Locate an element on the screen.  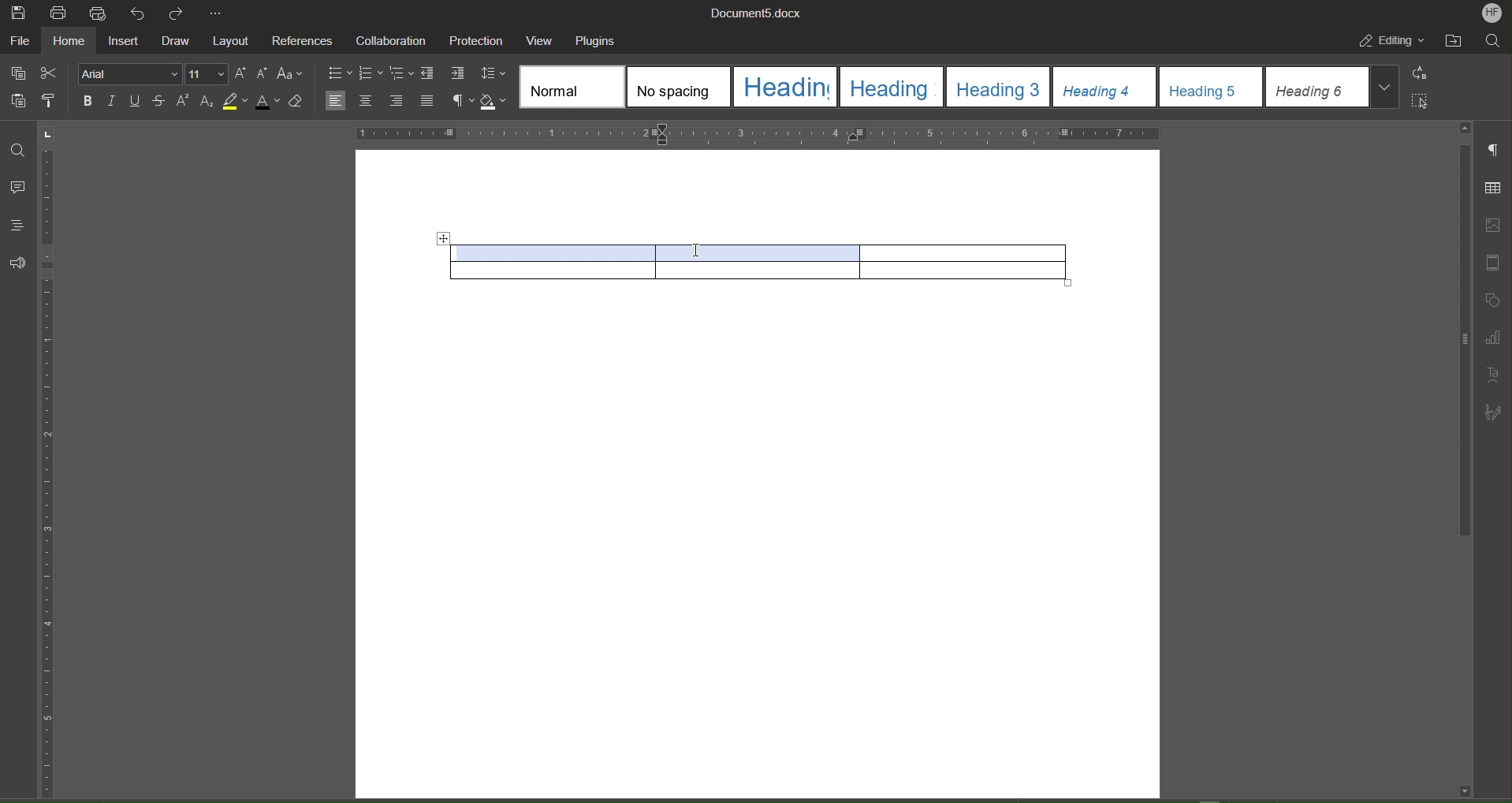
Comment is located at coordinates (19, 189).